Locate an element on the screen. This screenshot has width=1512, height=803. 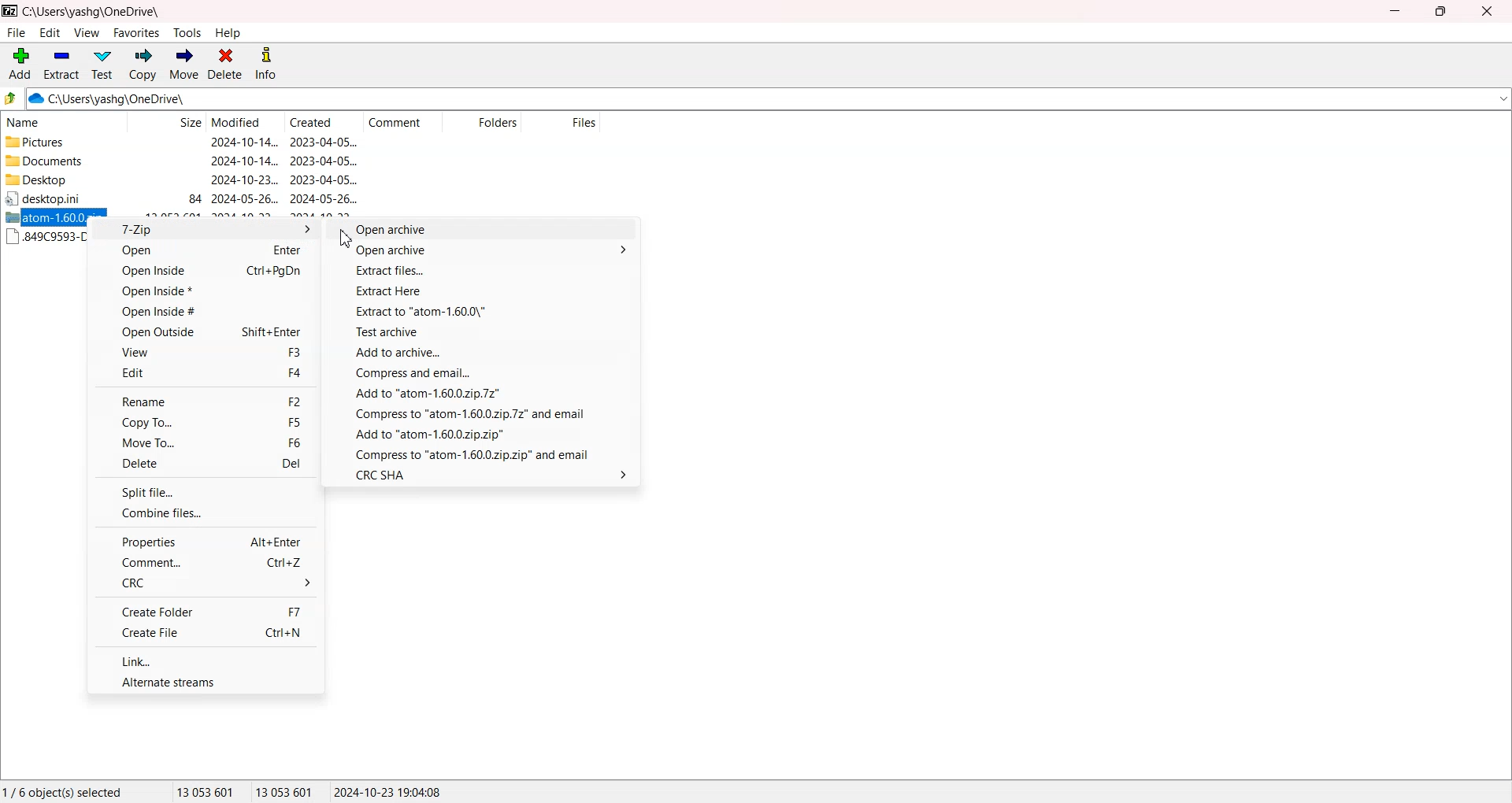
Open Inside# is located at coordinates (204, 310).